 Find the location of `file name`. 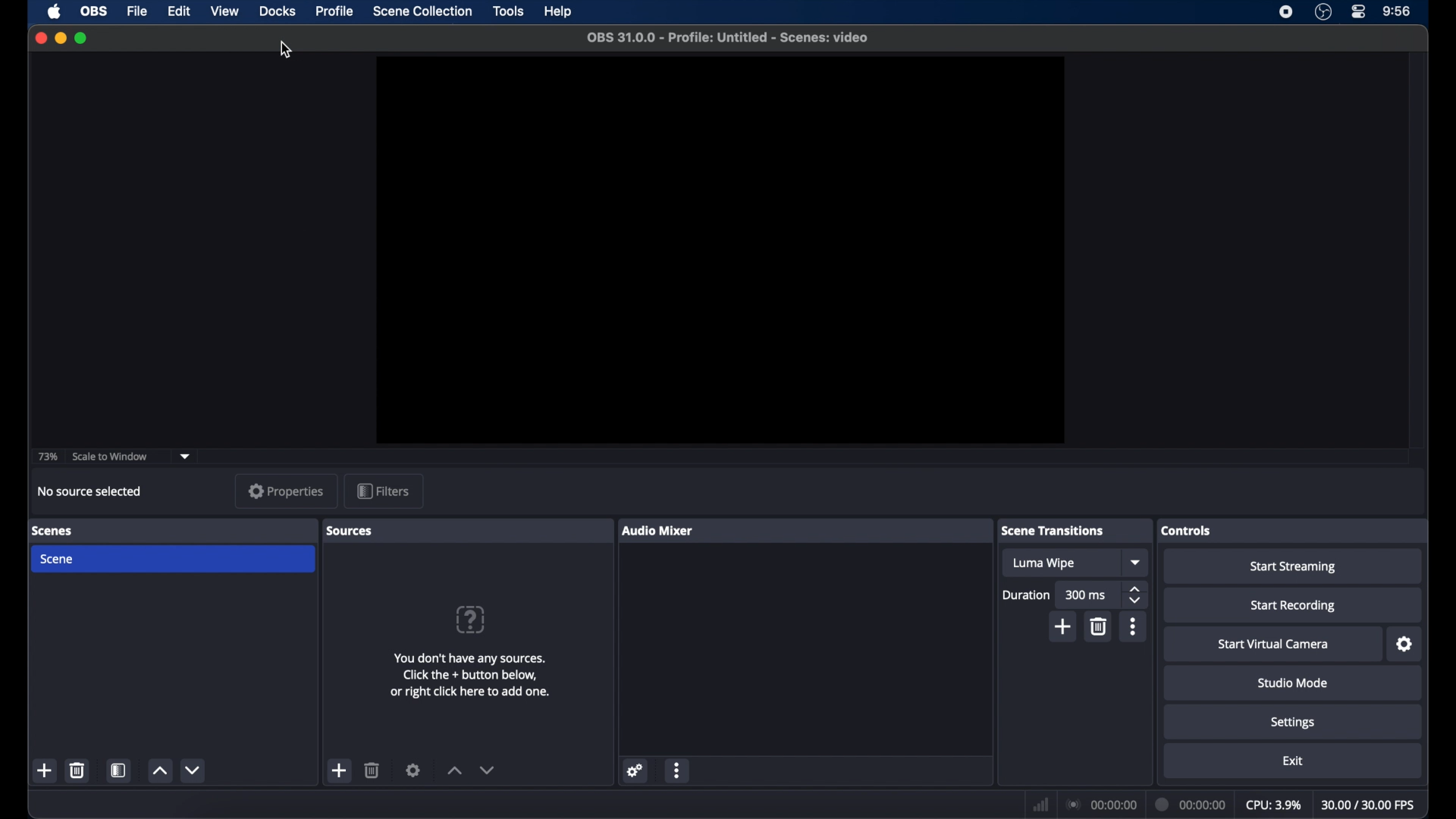

file name is located at coordinates (727, 38).